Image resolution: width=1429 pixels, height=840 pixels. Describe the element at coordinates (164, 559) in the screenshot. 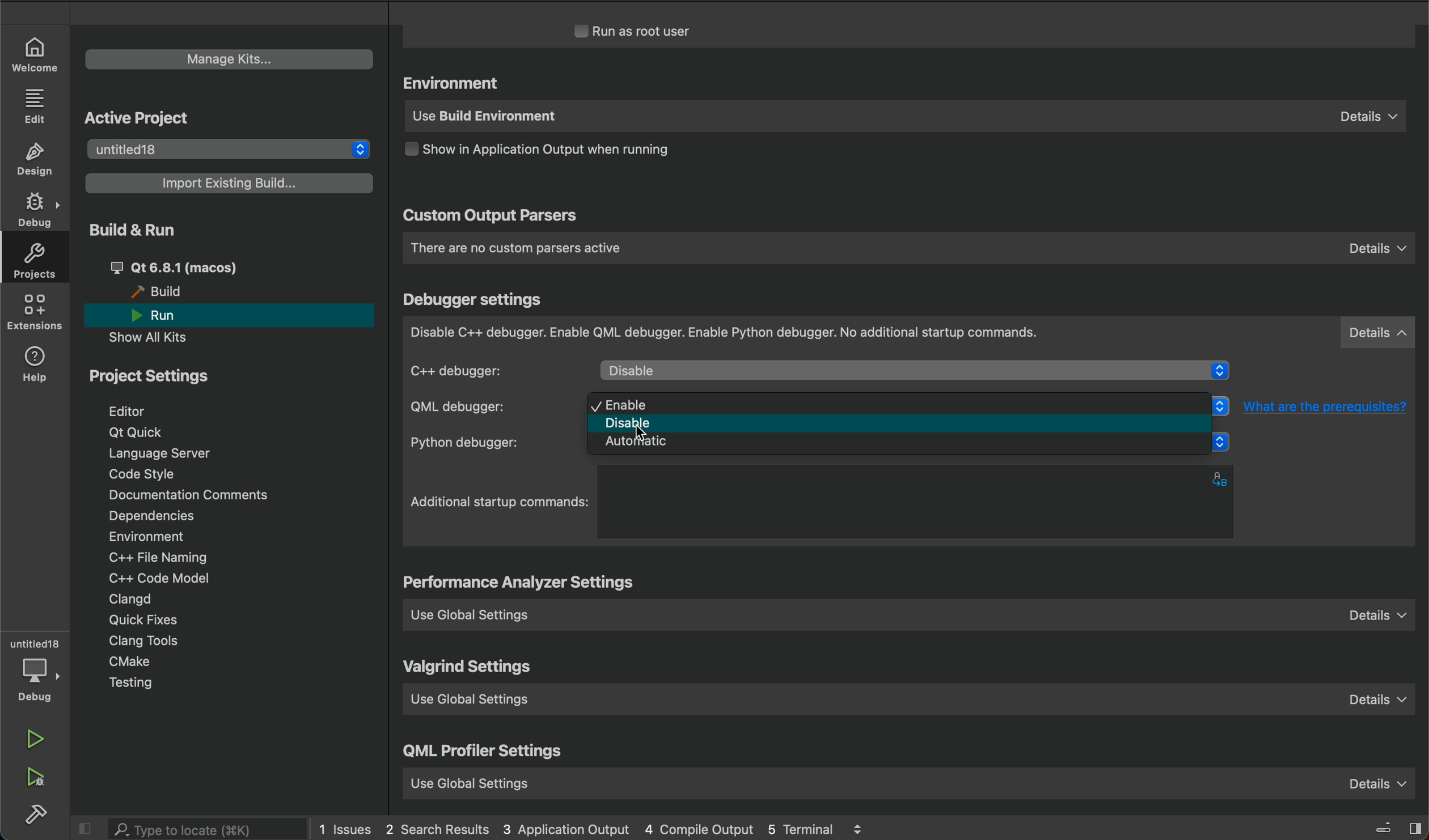

I see `file naming` at that location.